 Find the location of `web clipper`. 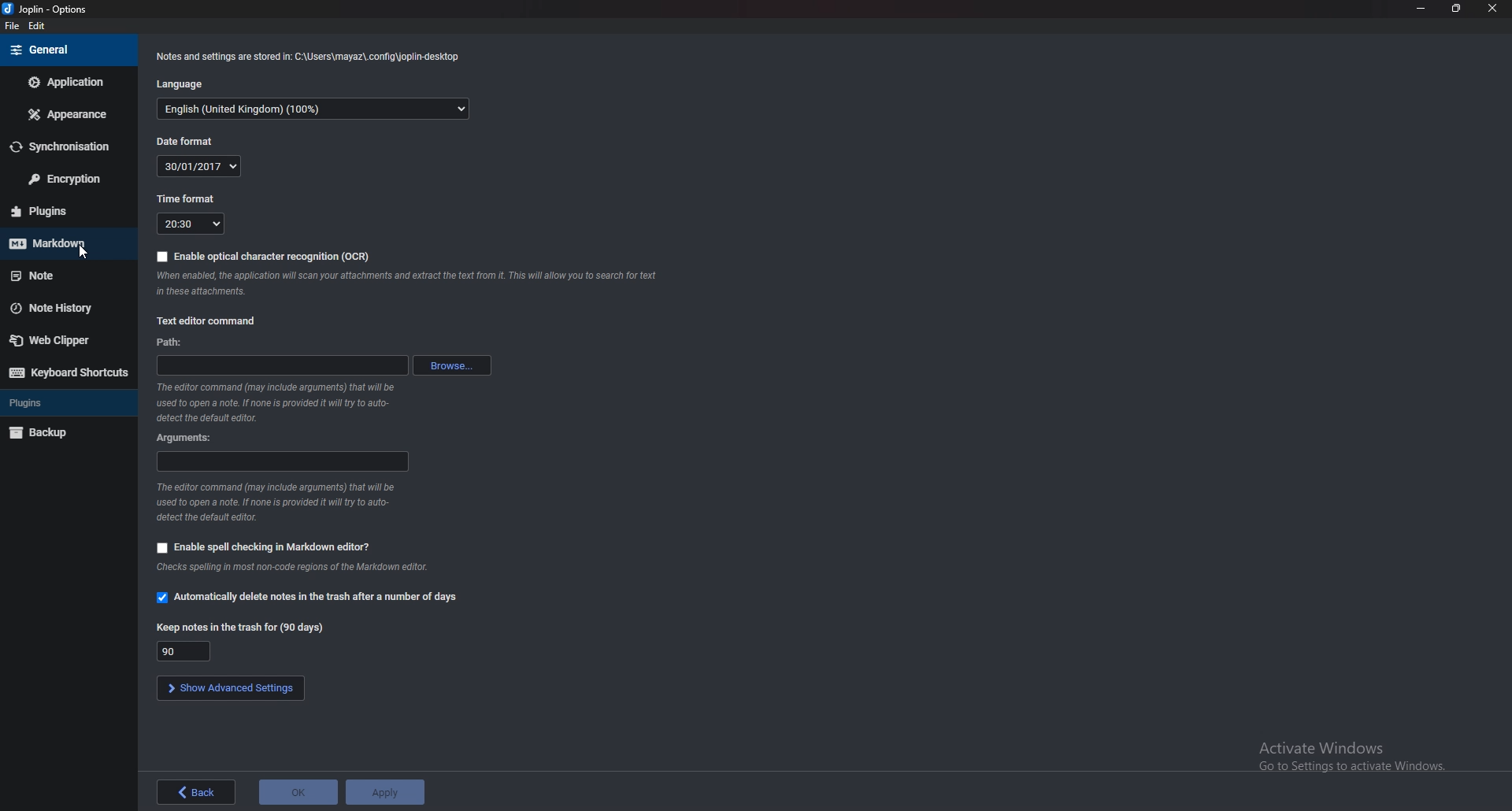

web clipper is located at coordinates (66, 341).